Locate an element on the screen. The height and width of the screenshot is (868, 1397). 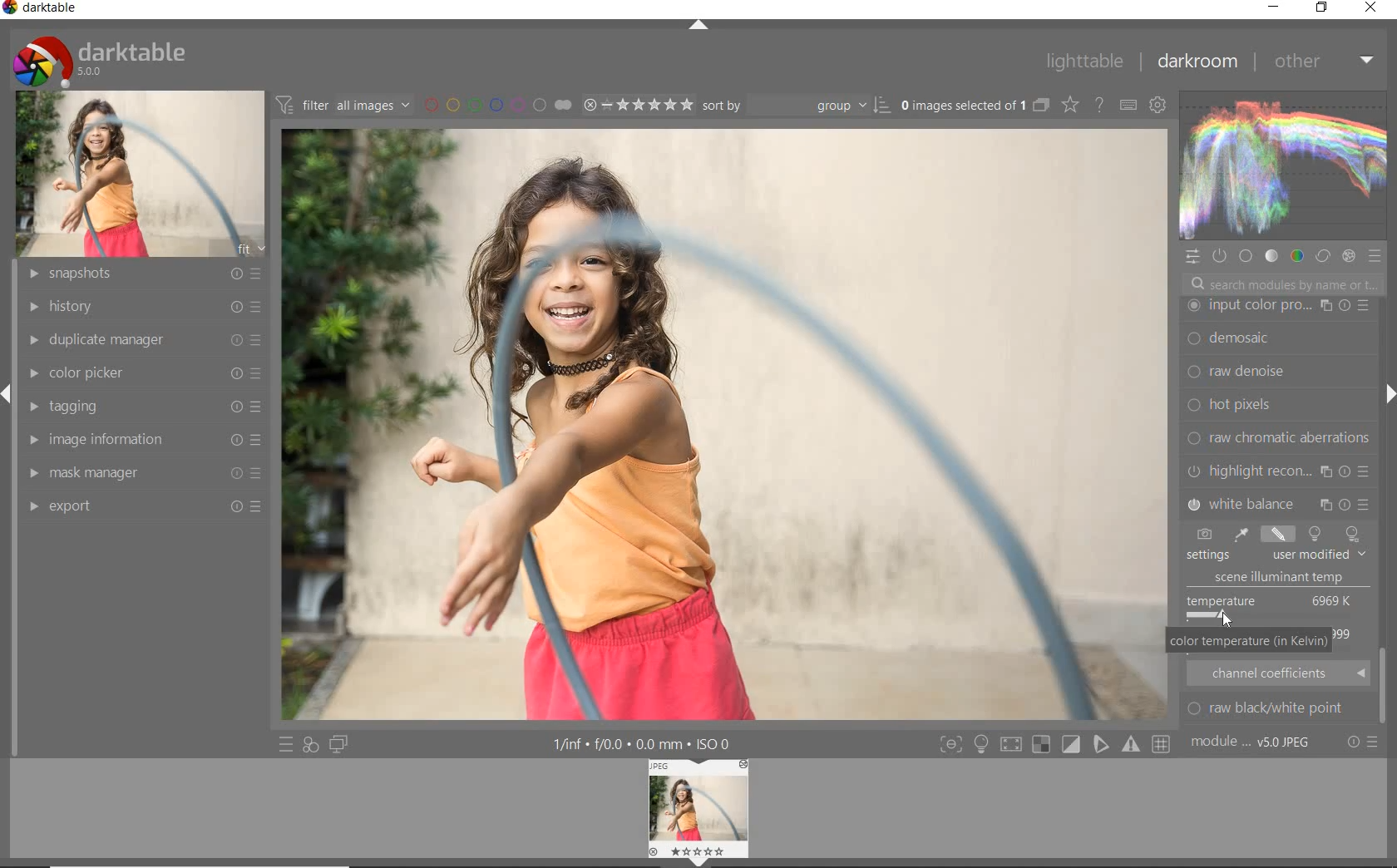
toggle mode is located at coordinates (950, 744).